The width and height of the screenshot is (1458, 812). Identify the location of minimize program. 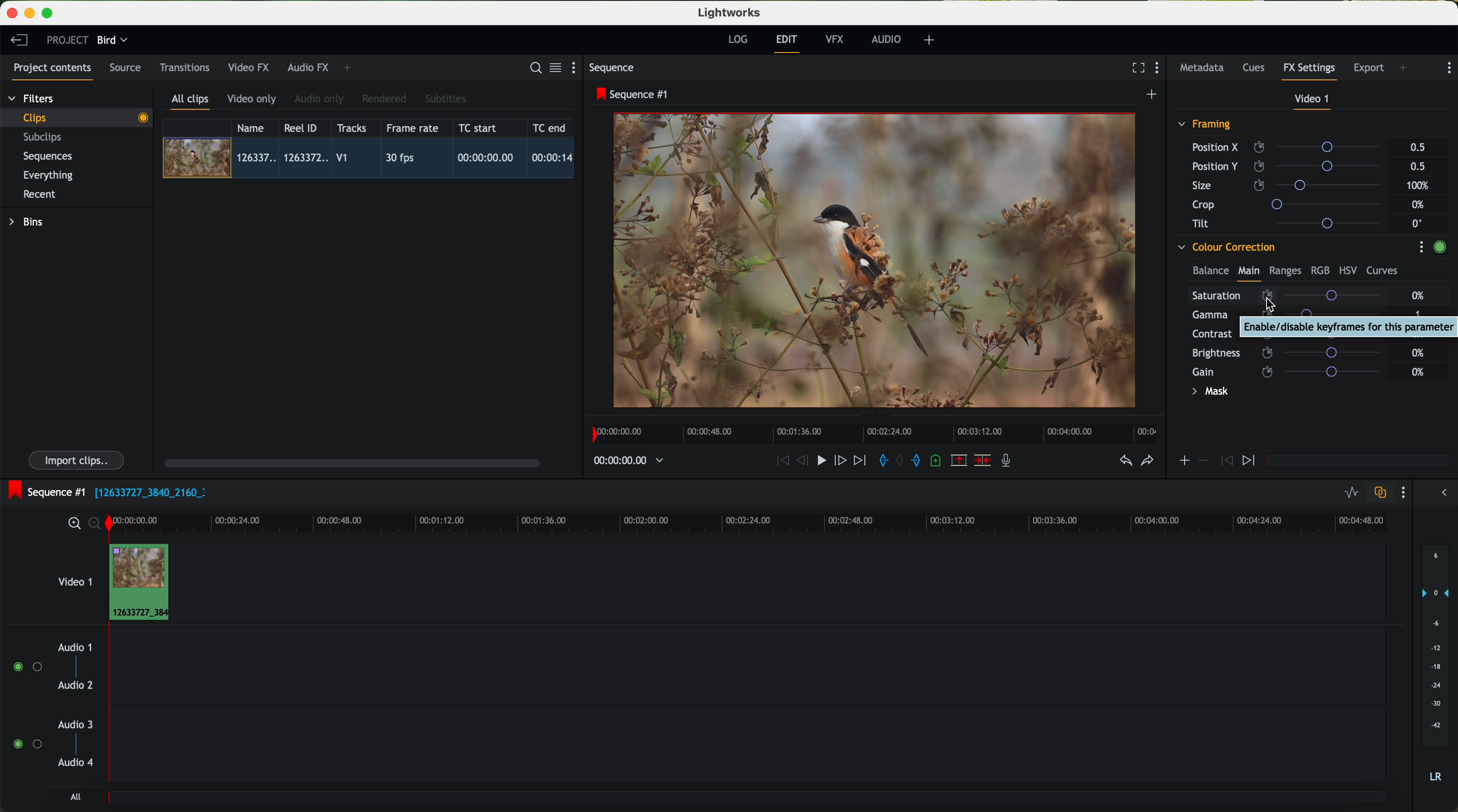
(32, 14).